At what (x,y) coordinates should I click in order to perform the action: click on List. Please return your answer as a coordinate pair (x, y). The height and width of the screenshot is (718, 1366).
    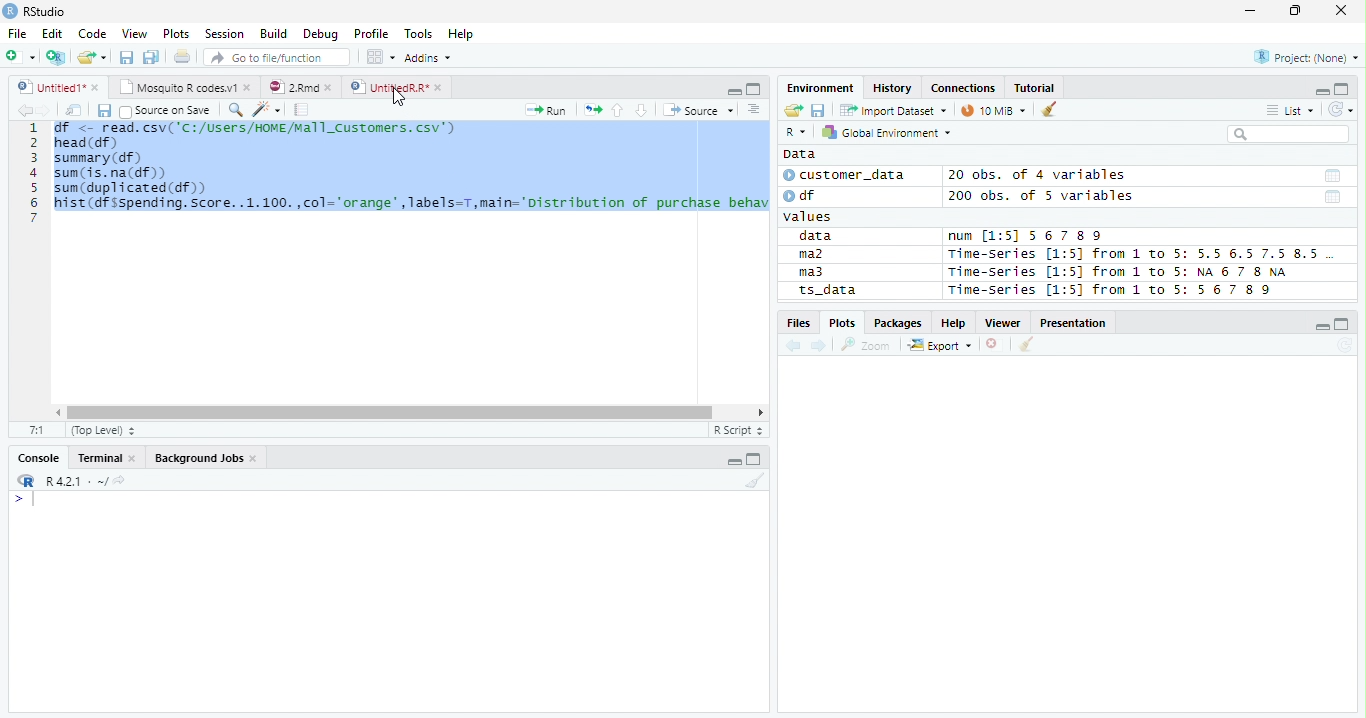
    Looking at the image, I should click on (1289, 111).